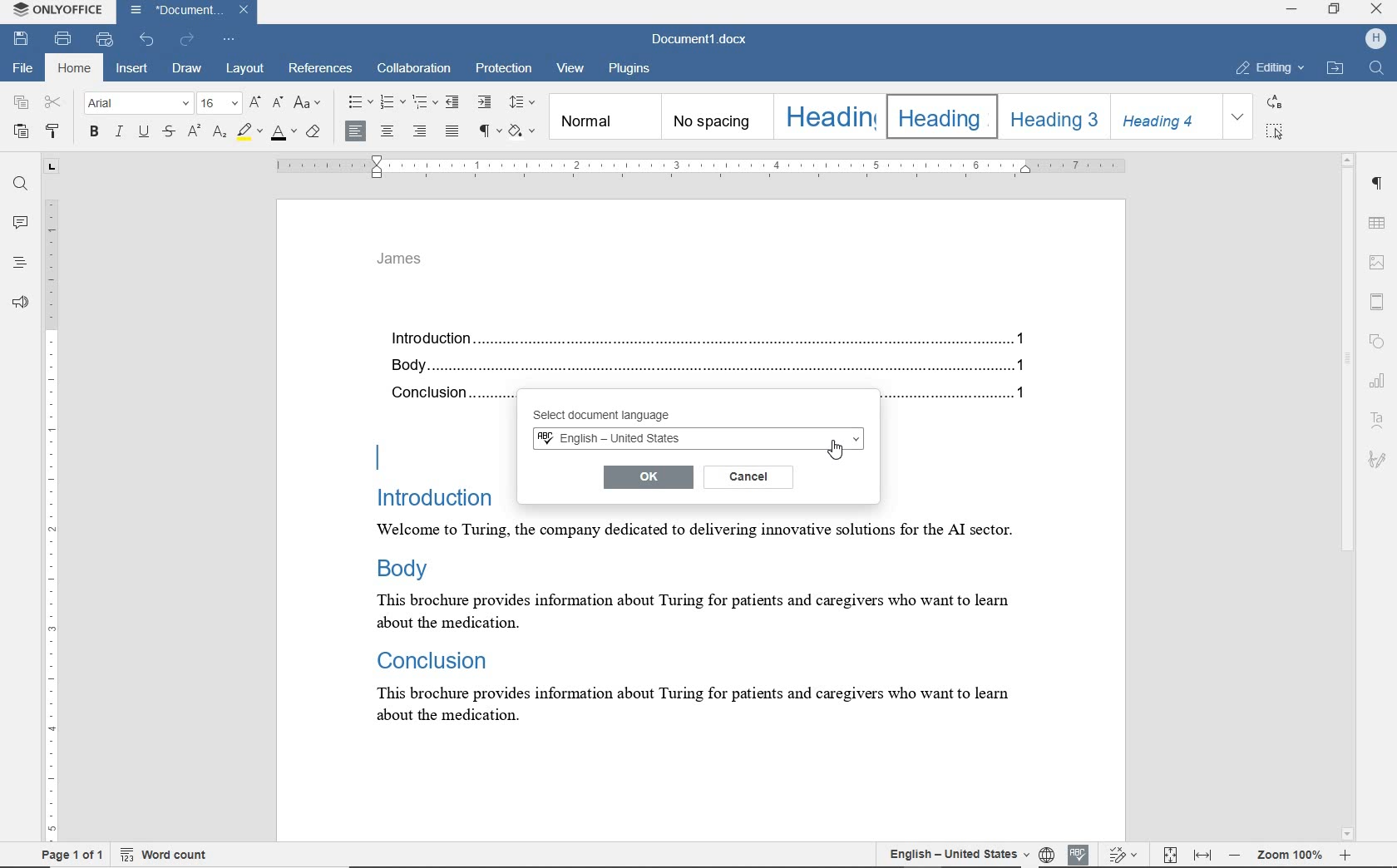 The height and width of the screenshot is (868, 1397). Describe the element at coordinates (1375, 9) in the screenshot. I see `CLOSE` at that location.